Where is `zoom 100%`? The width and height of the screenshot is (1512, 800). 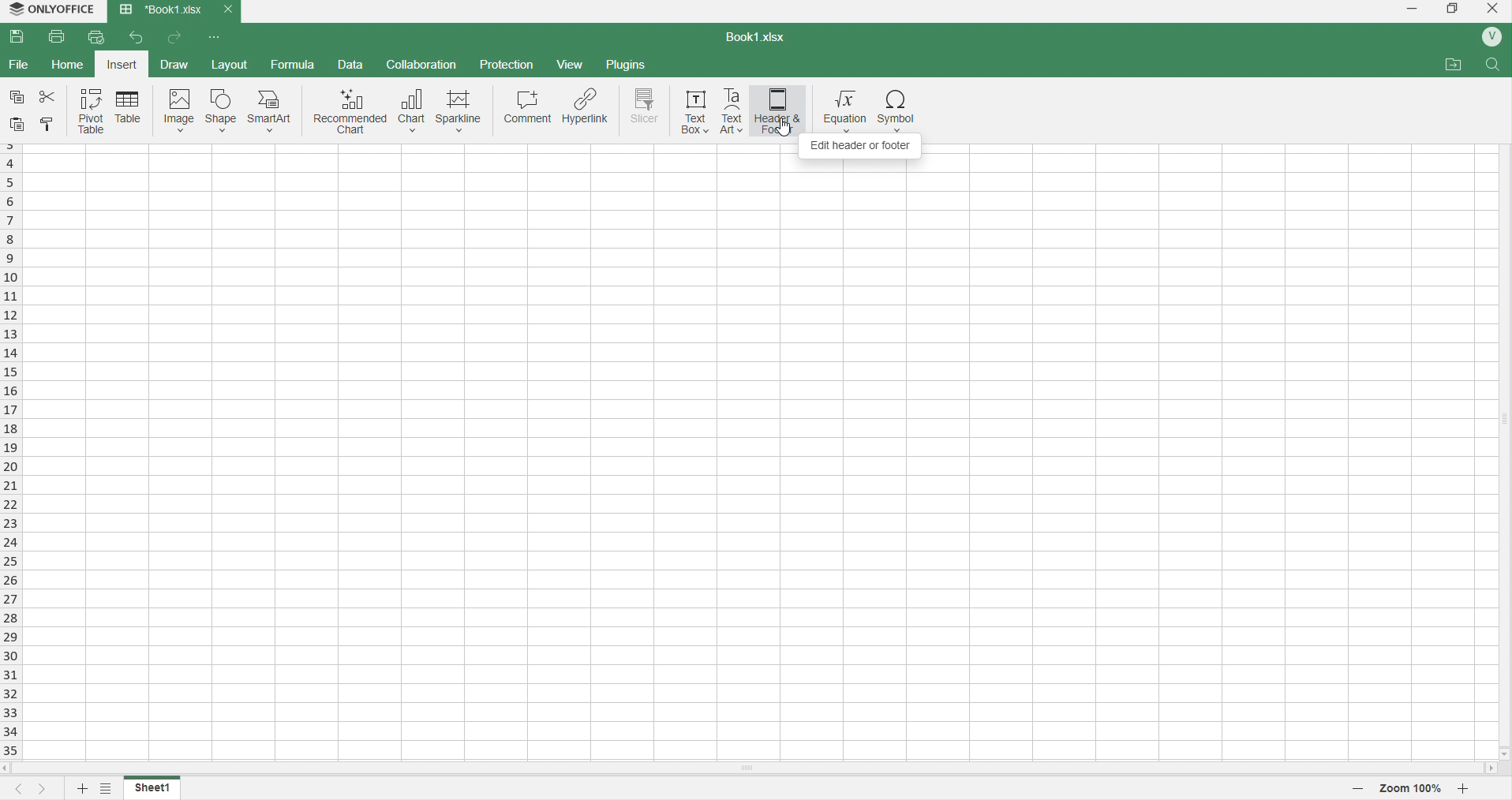
zoom 100% is located at coordinates (1412, 787).